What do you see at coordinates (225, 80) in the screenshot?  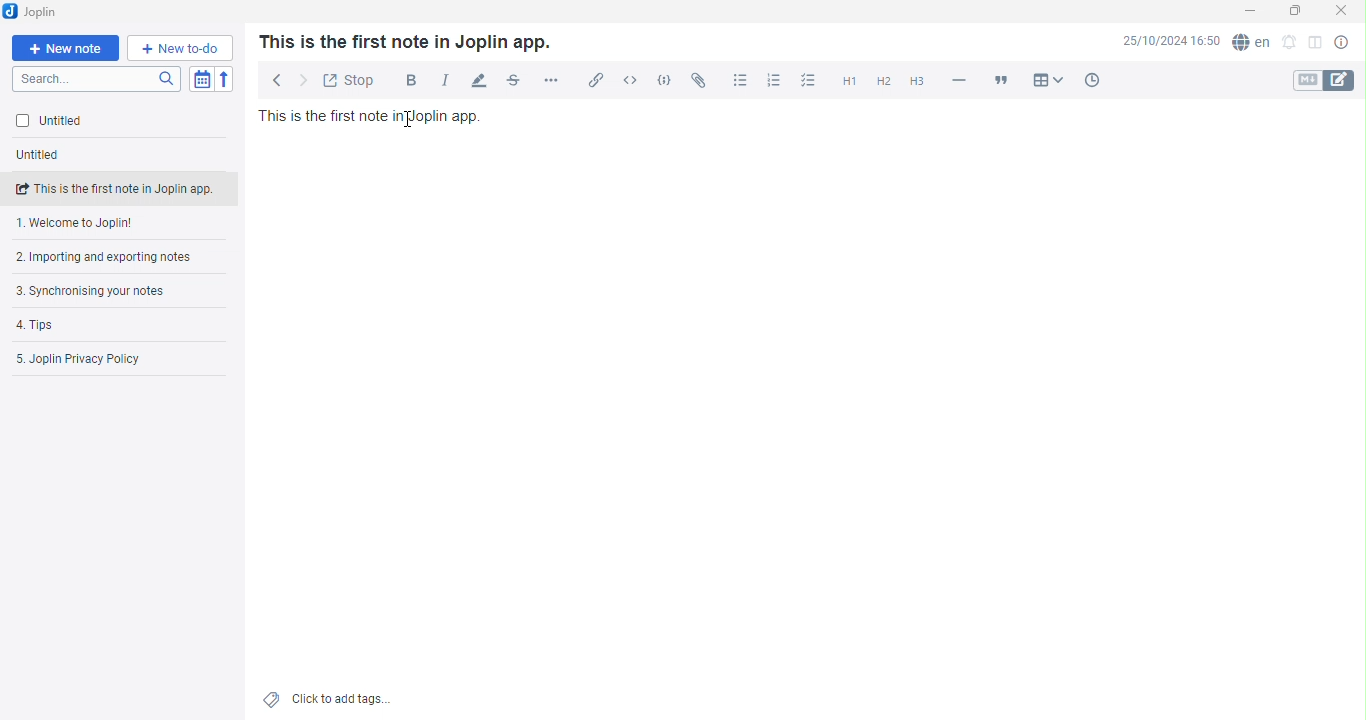 I see `Reverse Sort order` at bounding box center [225, 80].